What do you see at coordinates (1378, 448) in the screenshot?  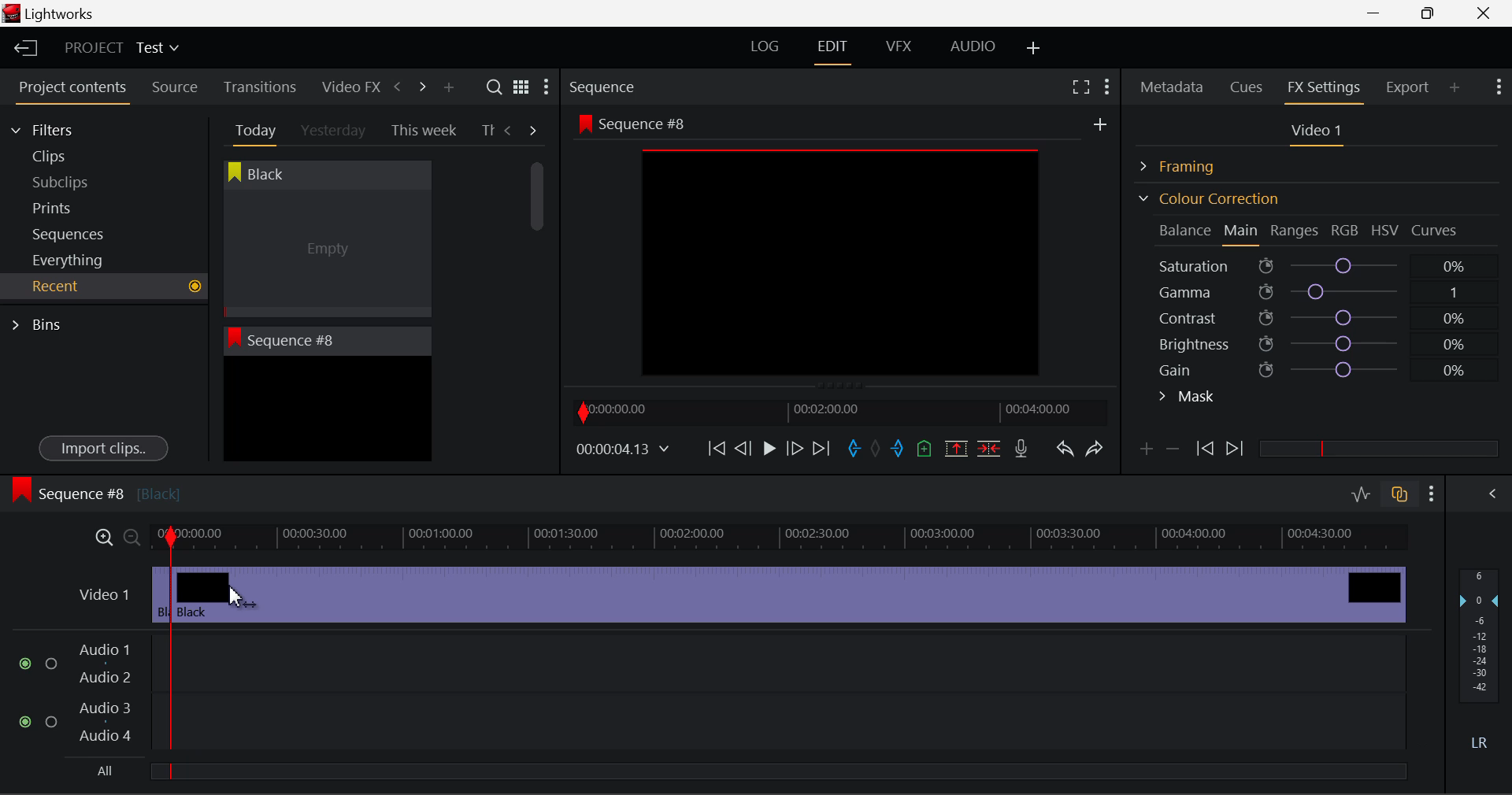 I see `slider` at bounding box center [1378, 448].